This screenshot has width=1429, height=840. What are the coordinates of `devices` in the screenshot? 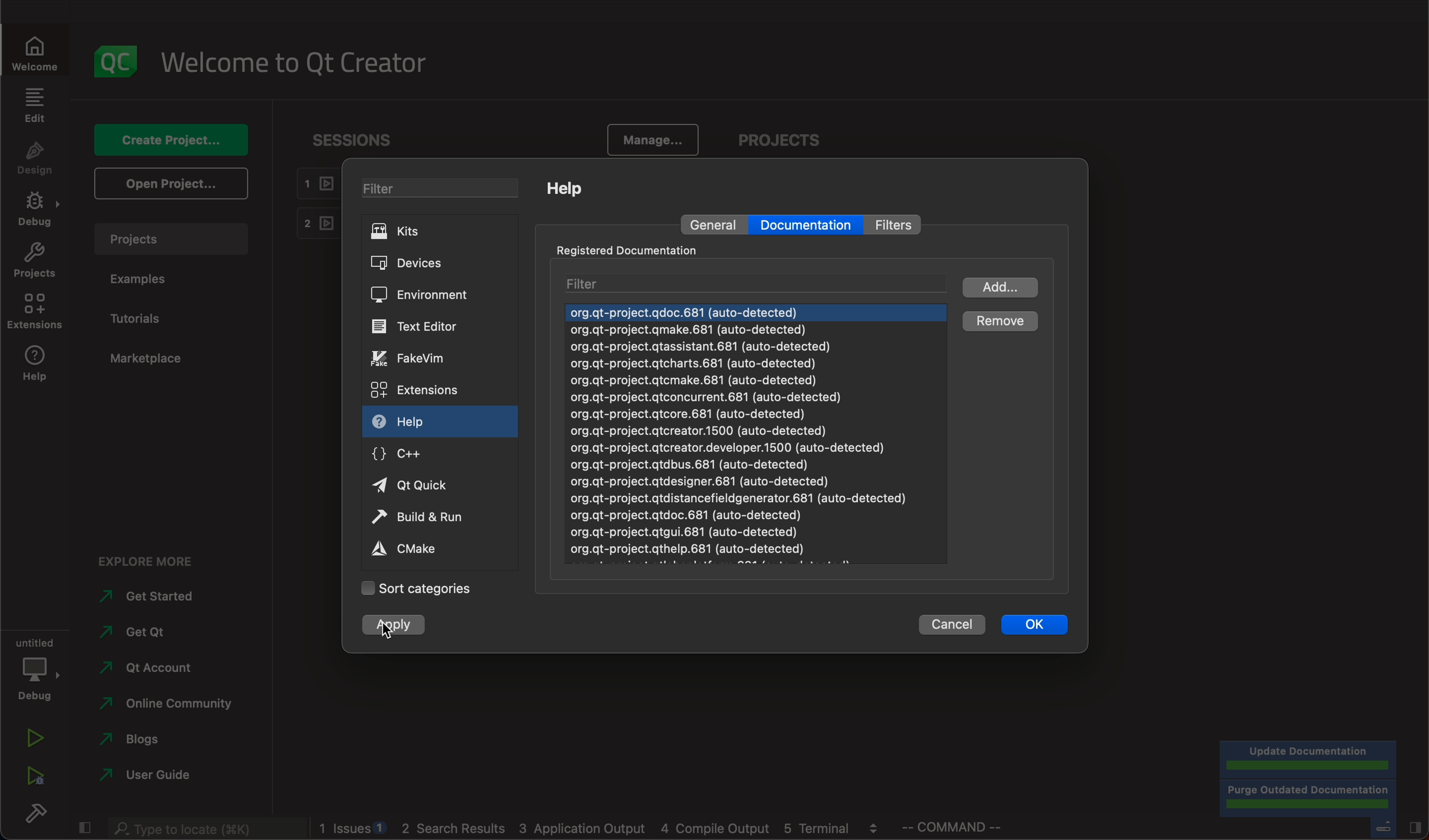 It's located at (434, 262).